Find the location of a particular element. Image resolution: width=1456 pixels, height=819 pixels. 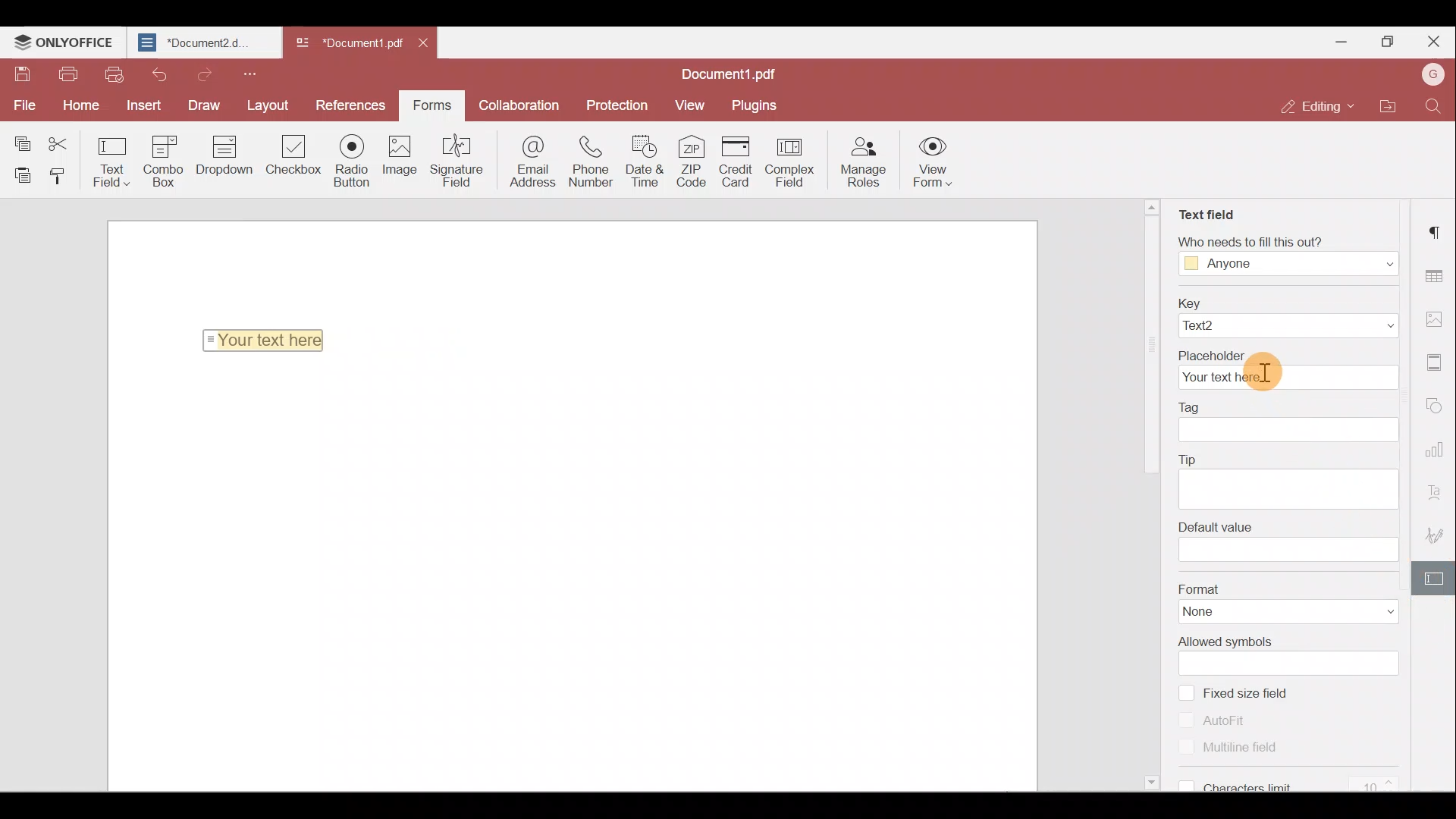

None is located at coordinates (1221, 613).